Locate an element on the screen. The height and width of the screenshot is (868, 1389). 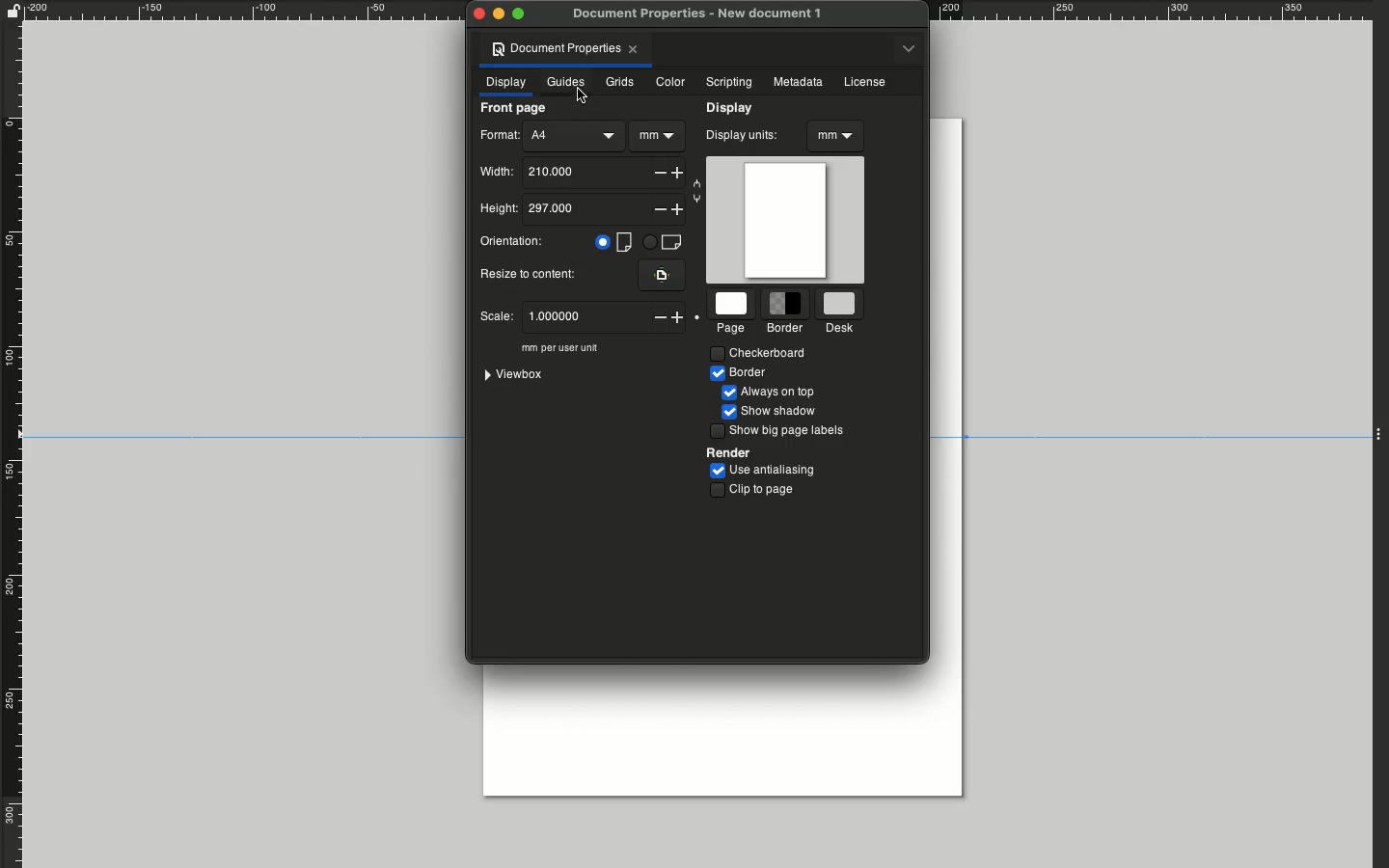
mm per user unit is located at coordinates (558, 346).